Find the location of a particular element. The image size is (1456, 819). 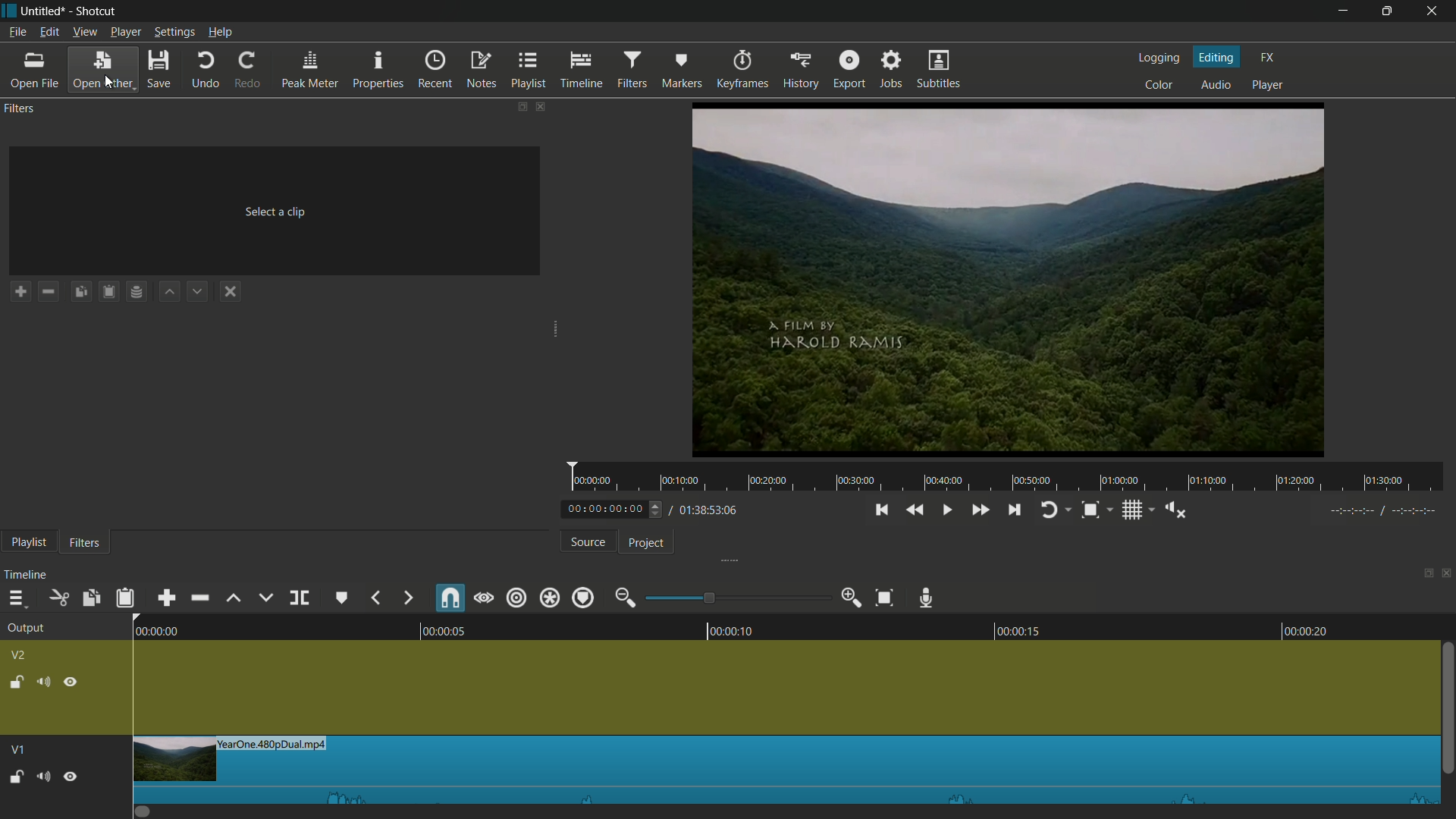

redo is located at coordinates (249, 70).